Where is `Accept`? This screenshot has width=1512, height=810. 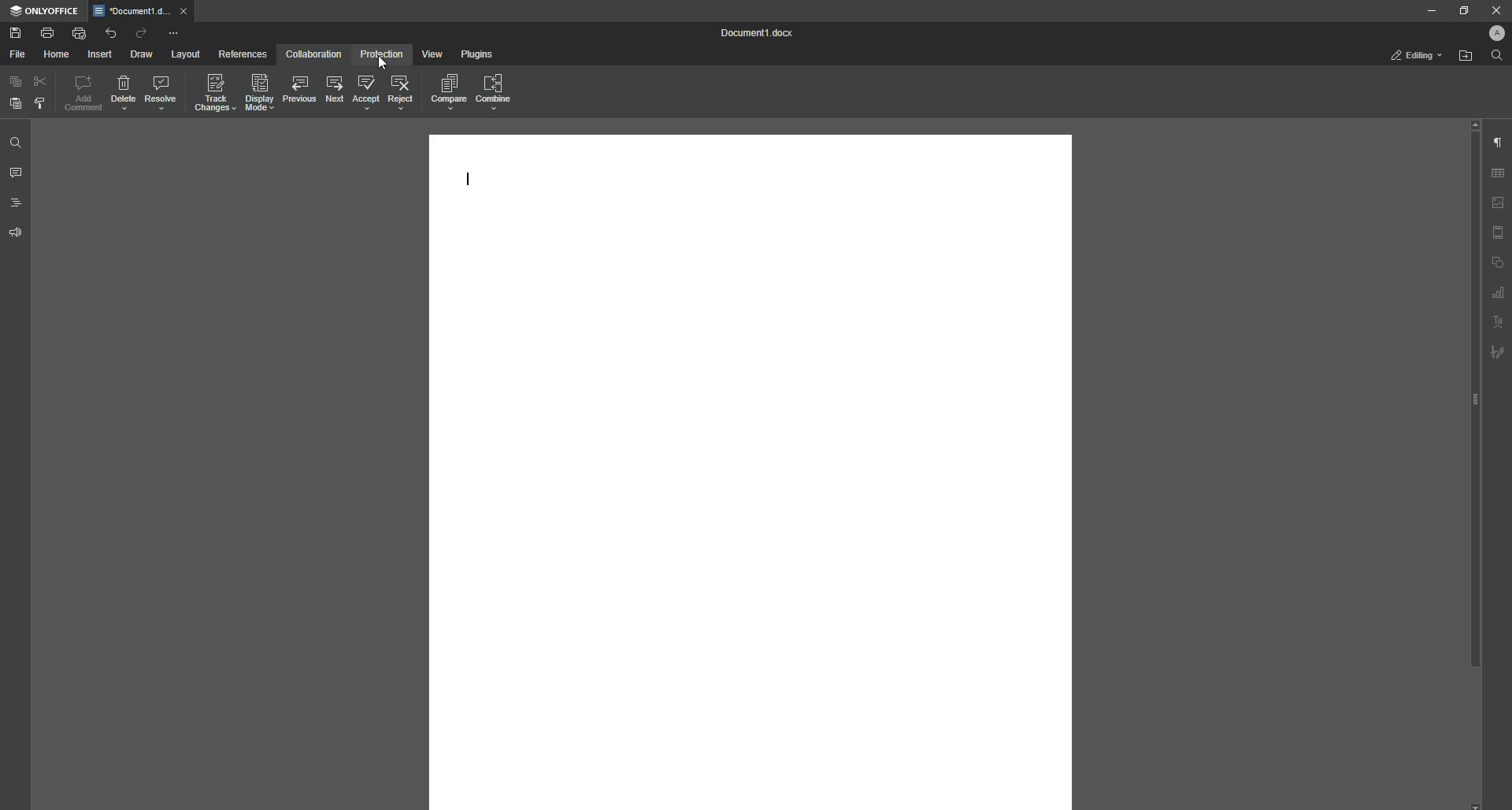 Accept is located at coordinates (366, 93).